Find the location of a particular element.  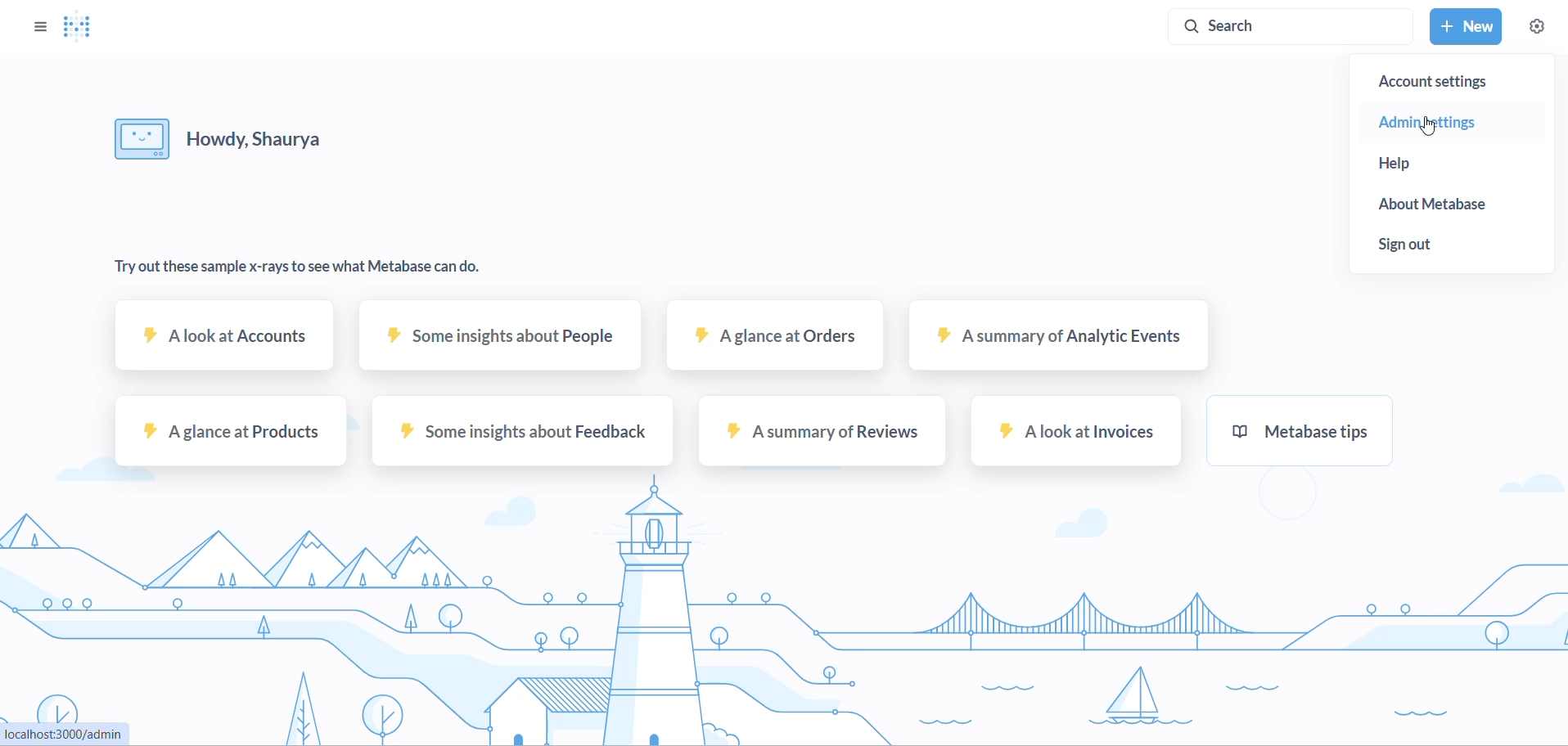

cursor is located at coordinates (1428, 128).